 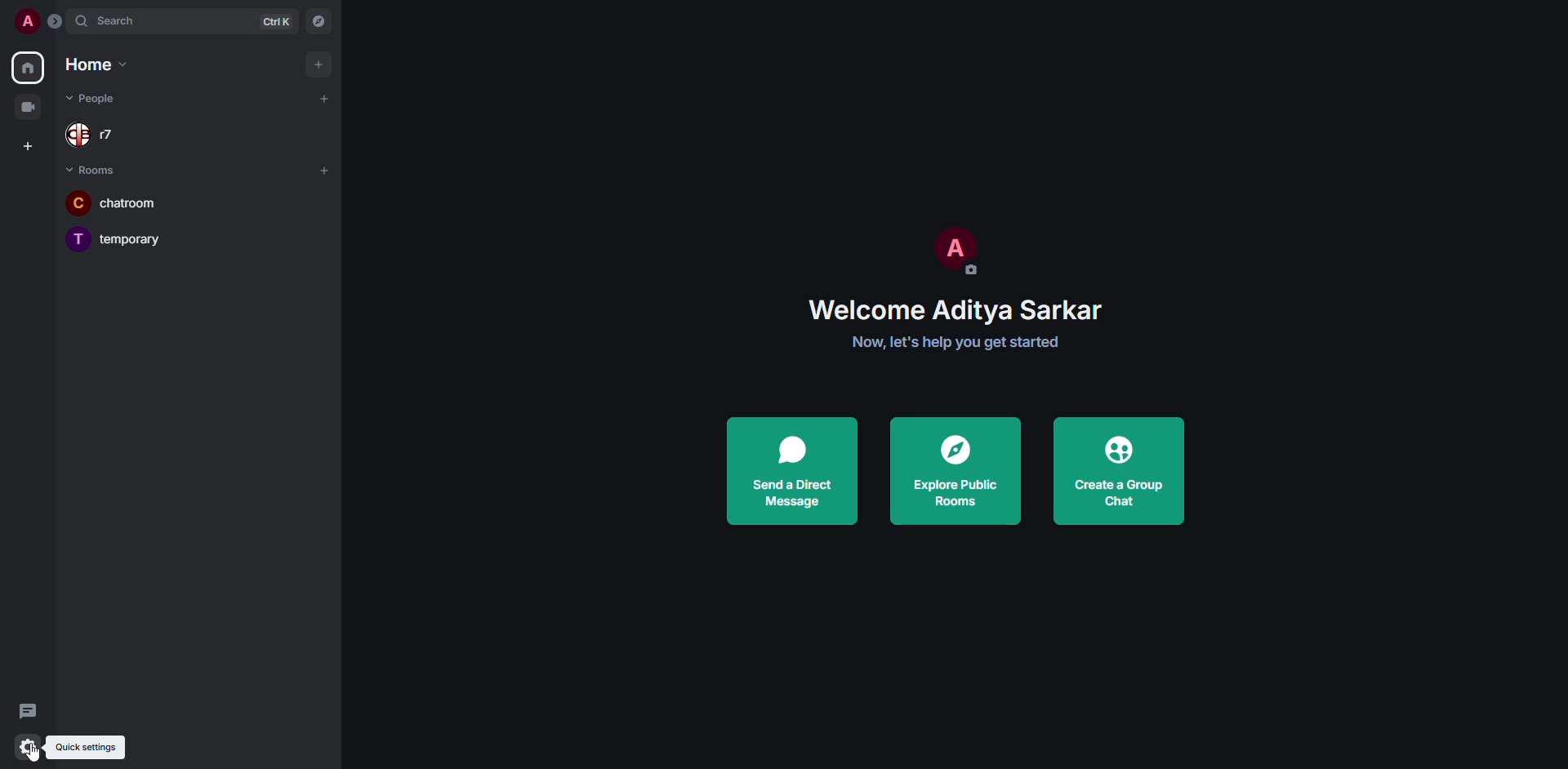 What do you see at coordinates (27, 146) in the screenshot?
I see `create space` at bounding box center [27, 146].